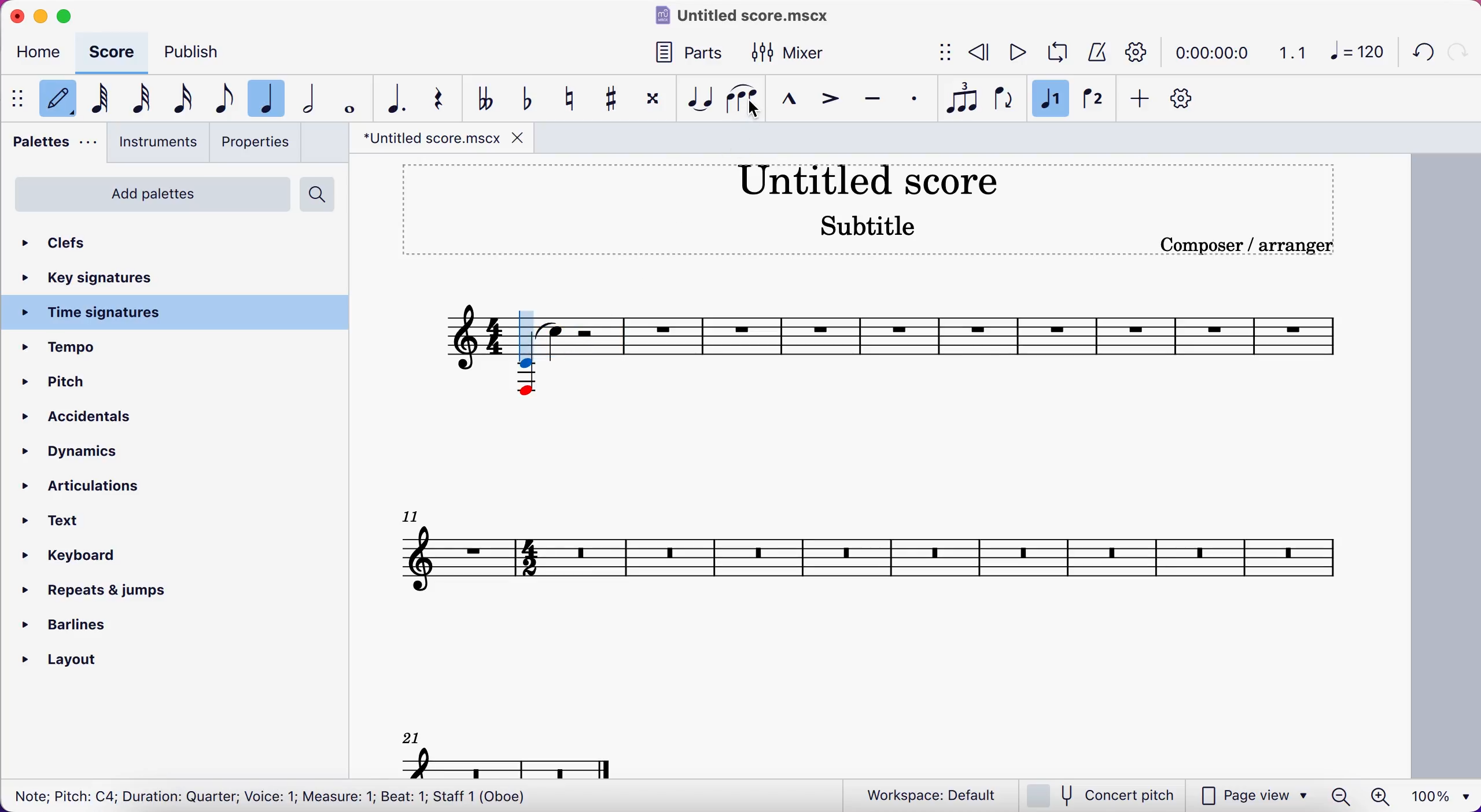 The width and height of the screenshot is (1481, 812). Describe the element at coordinates (1417, 55) in the screenshot. I see `undo` at that location.